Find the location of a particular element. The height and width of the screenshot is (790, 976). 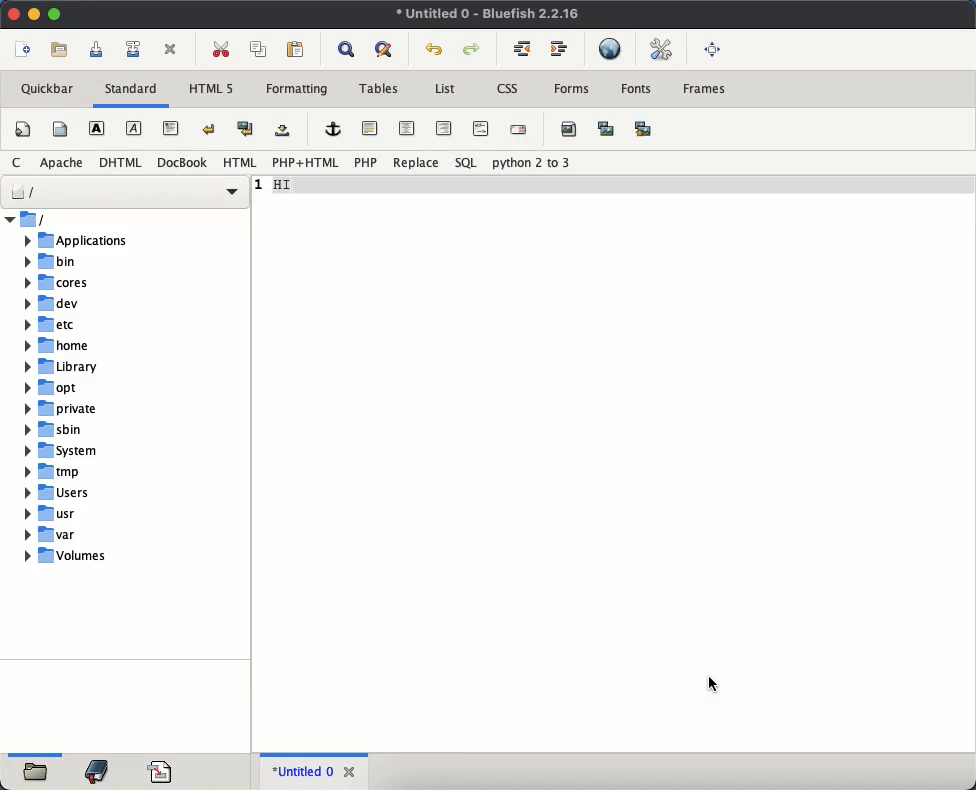

open file is located at coordinates (60, 50).